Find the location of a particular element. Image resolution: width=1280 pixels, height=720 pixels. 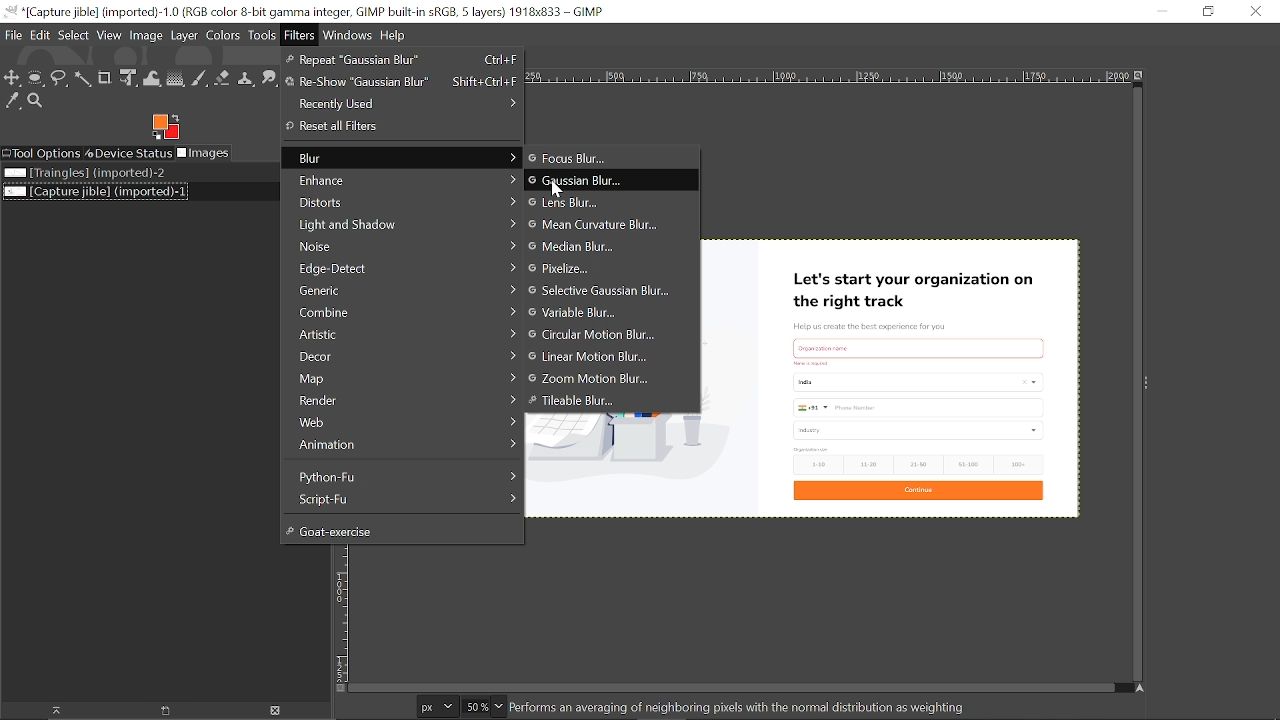

Zoon image when window size changes is located at coordinates (1139, 75).